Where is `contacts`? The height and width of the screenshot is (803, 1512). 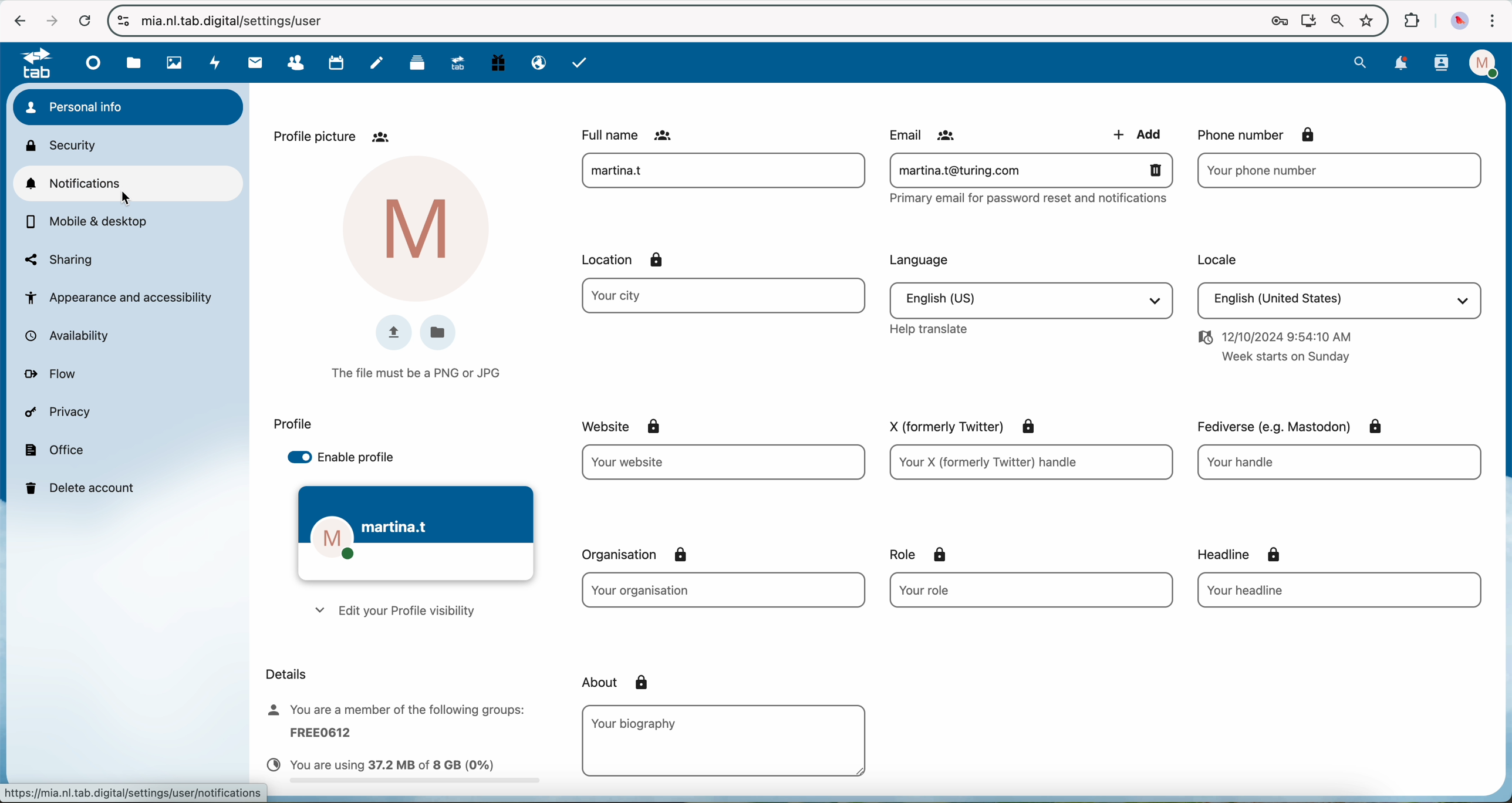 contacts is located at coordinates (299, 63).